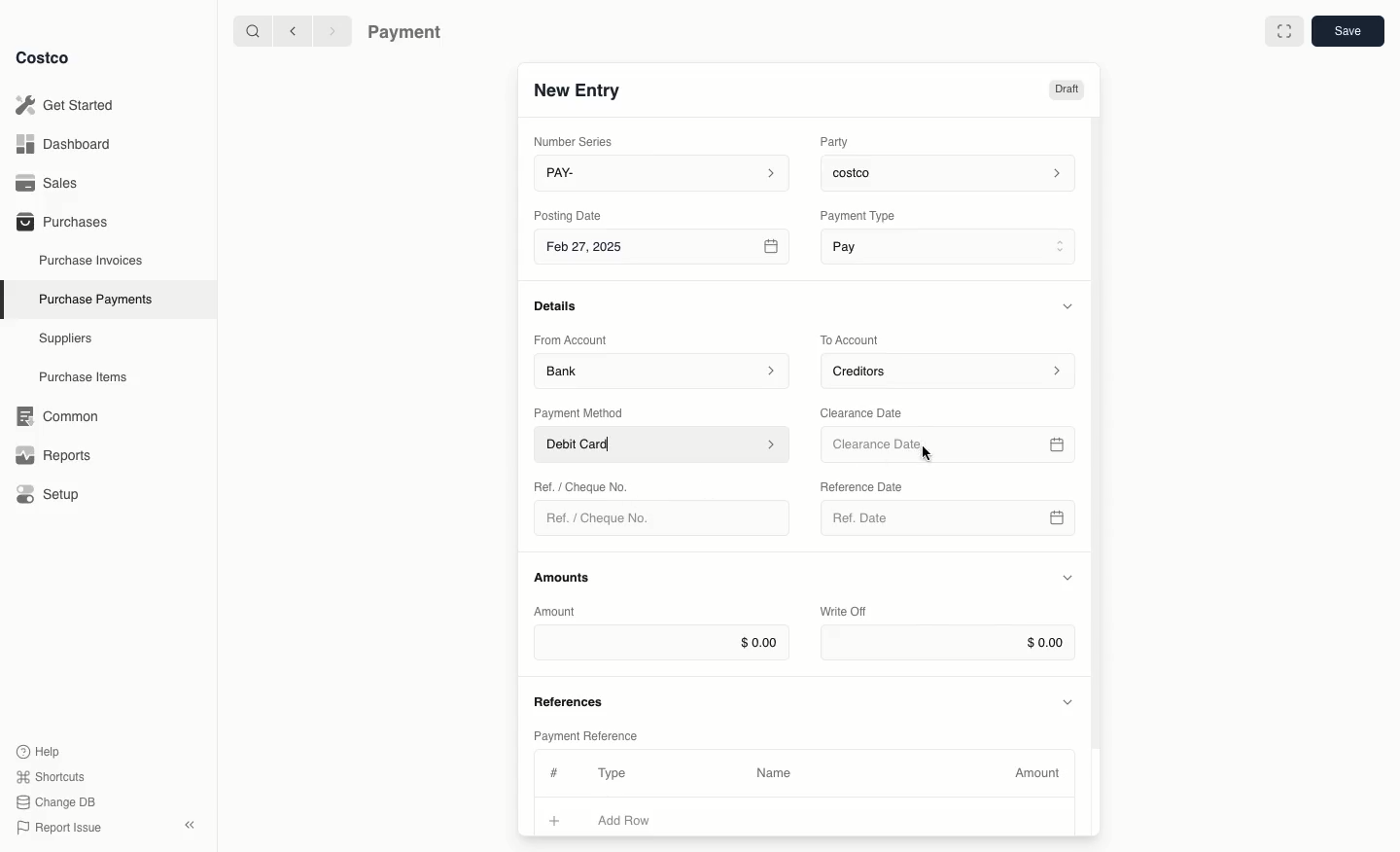  I want to click on Write Off, so click(844, 613).